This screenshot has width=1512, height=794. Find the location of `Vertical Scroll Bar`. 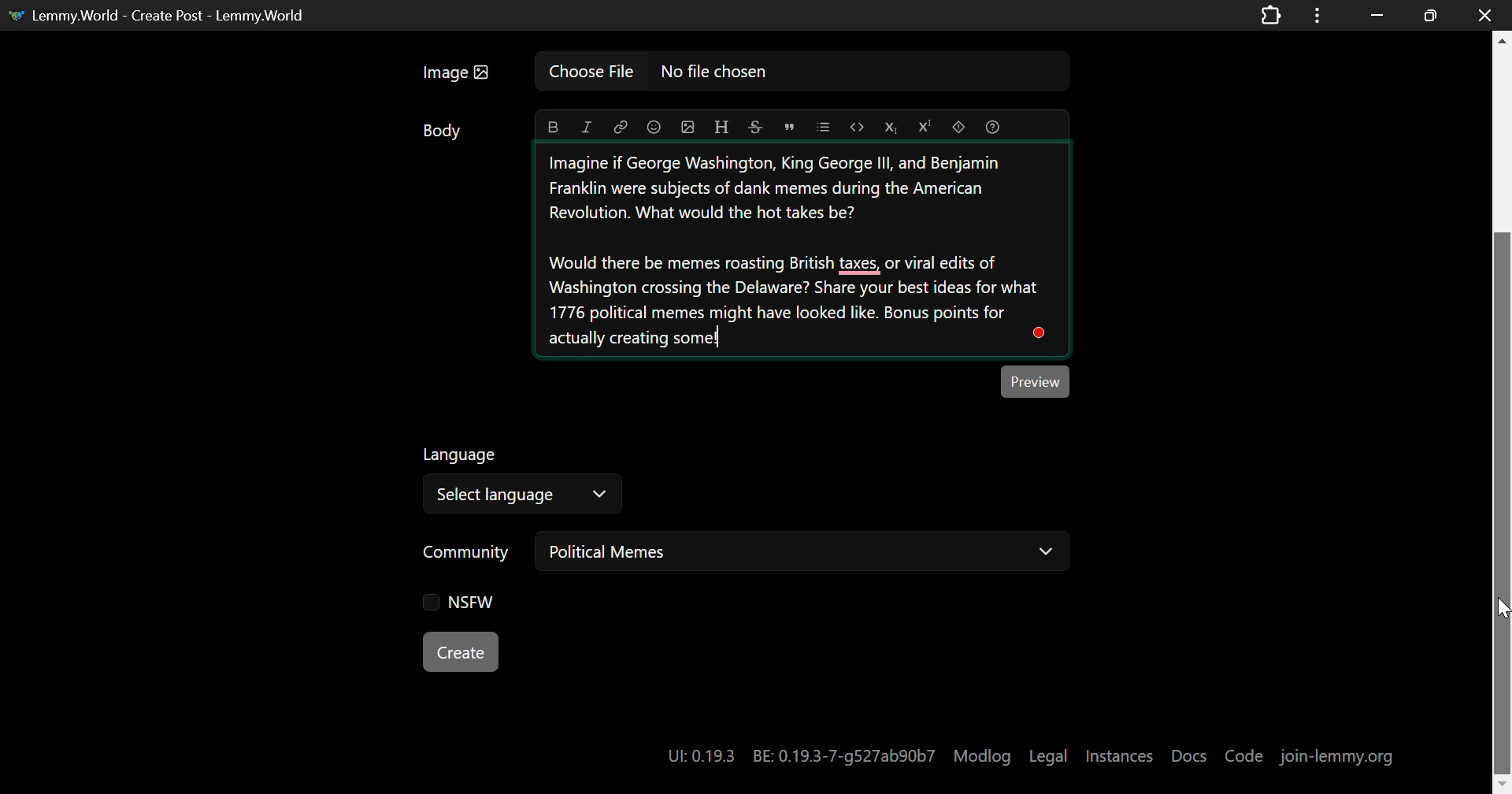

Vertical Scroll Bar is located at coordinates (1501, 415).